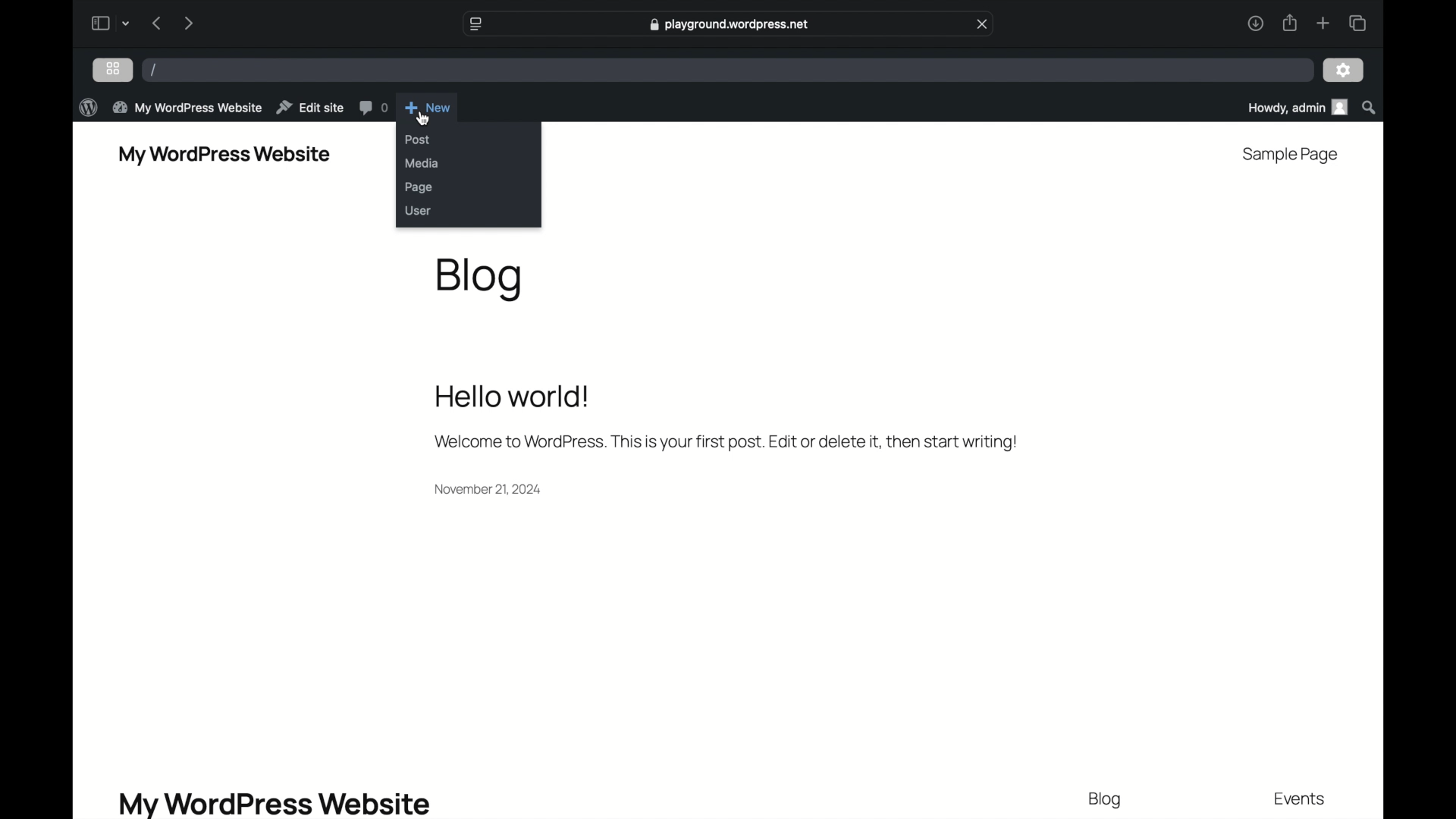 Image resolution: width=1456 pixels, height=819 pixels. What do you see at coordinates (153, 69) in the screenshot?
I see `/` at bounding box center [153, 69].